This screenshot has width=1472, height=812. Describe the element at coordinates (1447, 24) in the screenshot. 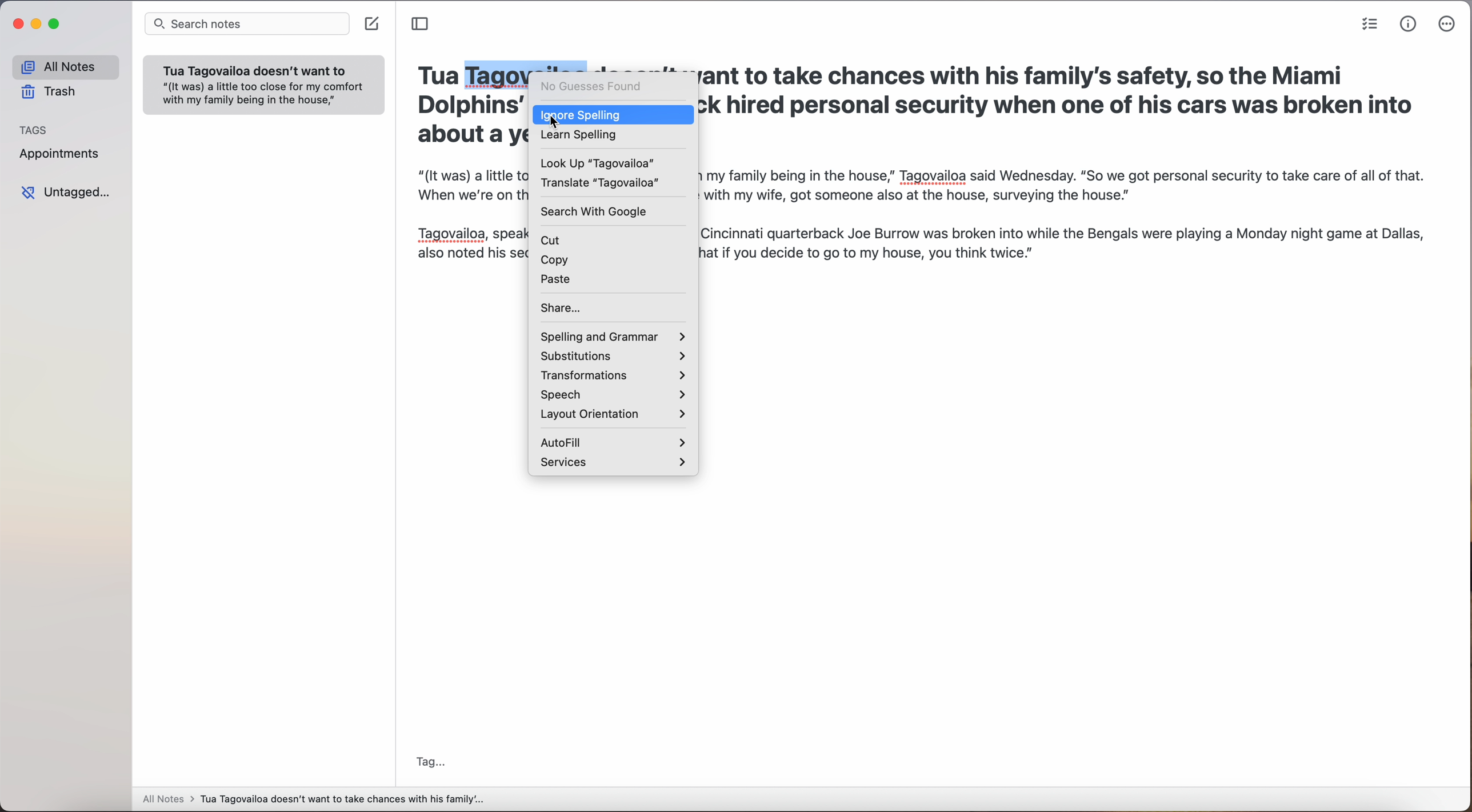

I see `more options` at that location.